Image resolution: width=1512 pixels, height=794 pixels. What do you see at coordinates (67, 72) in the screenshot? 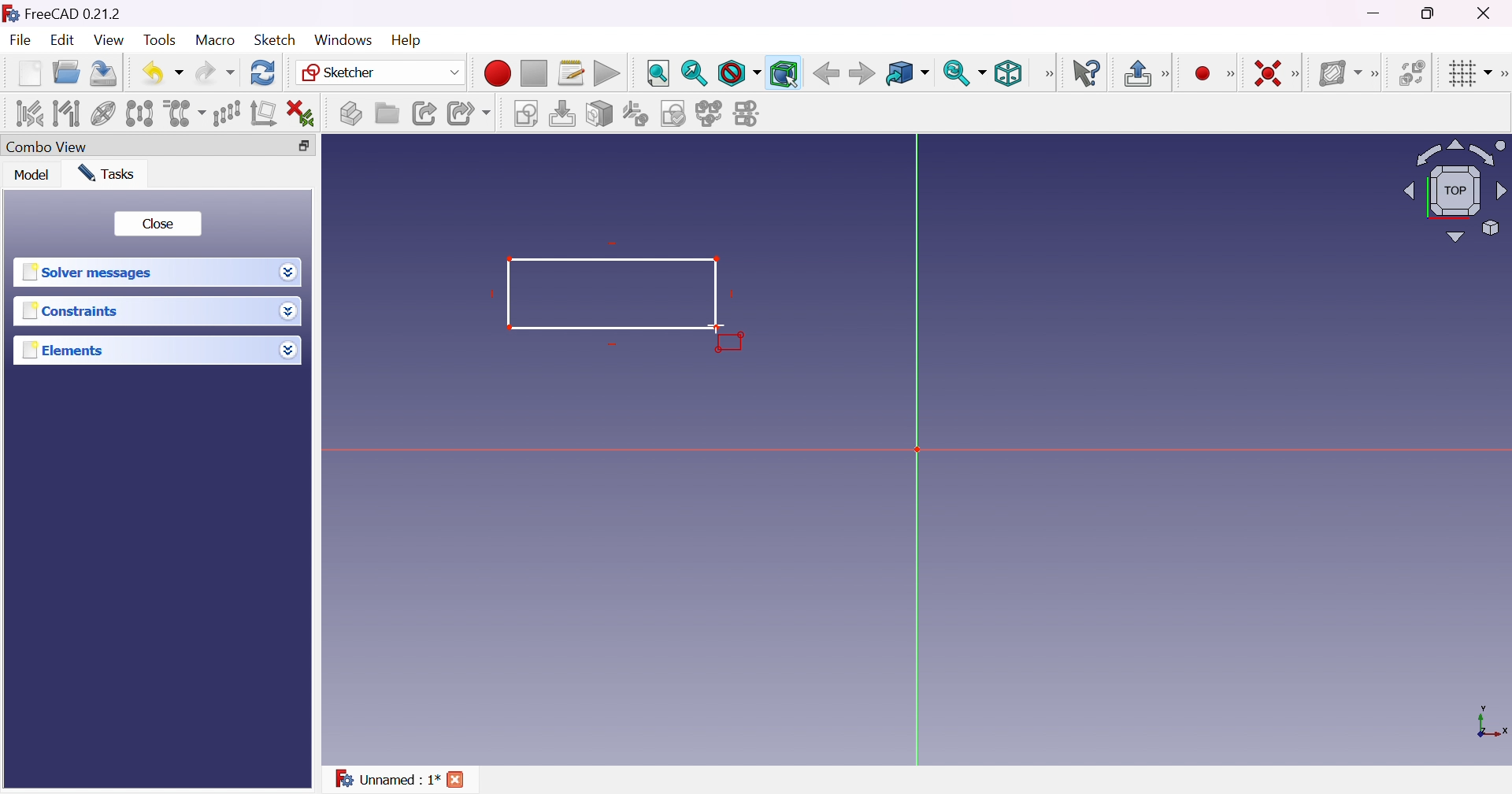
I see `Open` at bounding box center [67, 72].